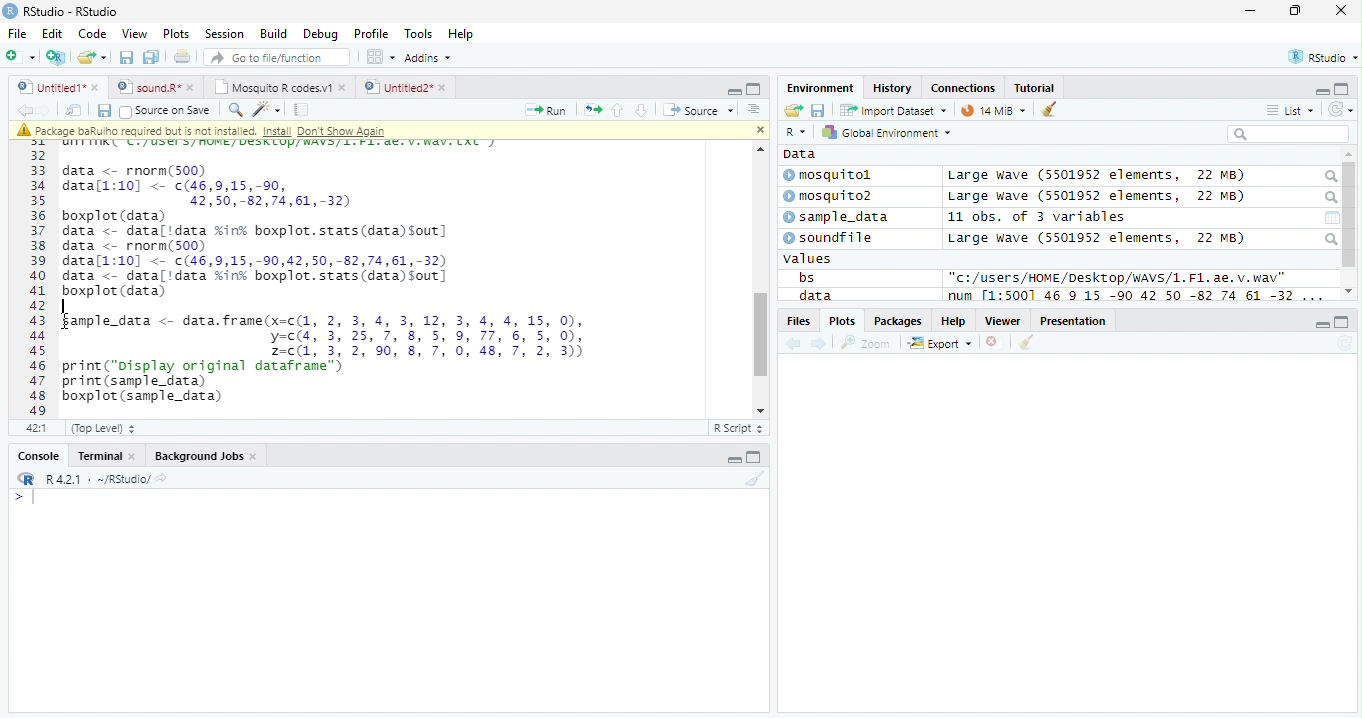  Describe the element at coordinates (418, 35) in the screenshot. I see `Tools` at that location.